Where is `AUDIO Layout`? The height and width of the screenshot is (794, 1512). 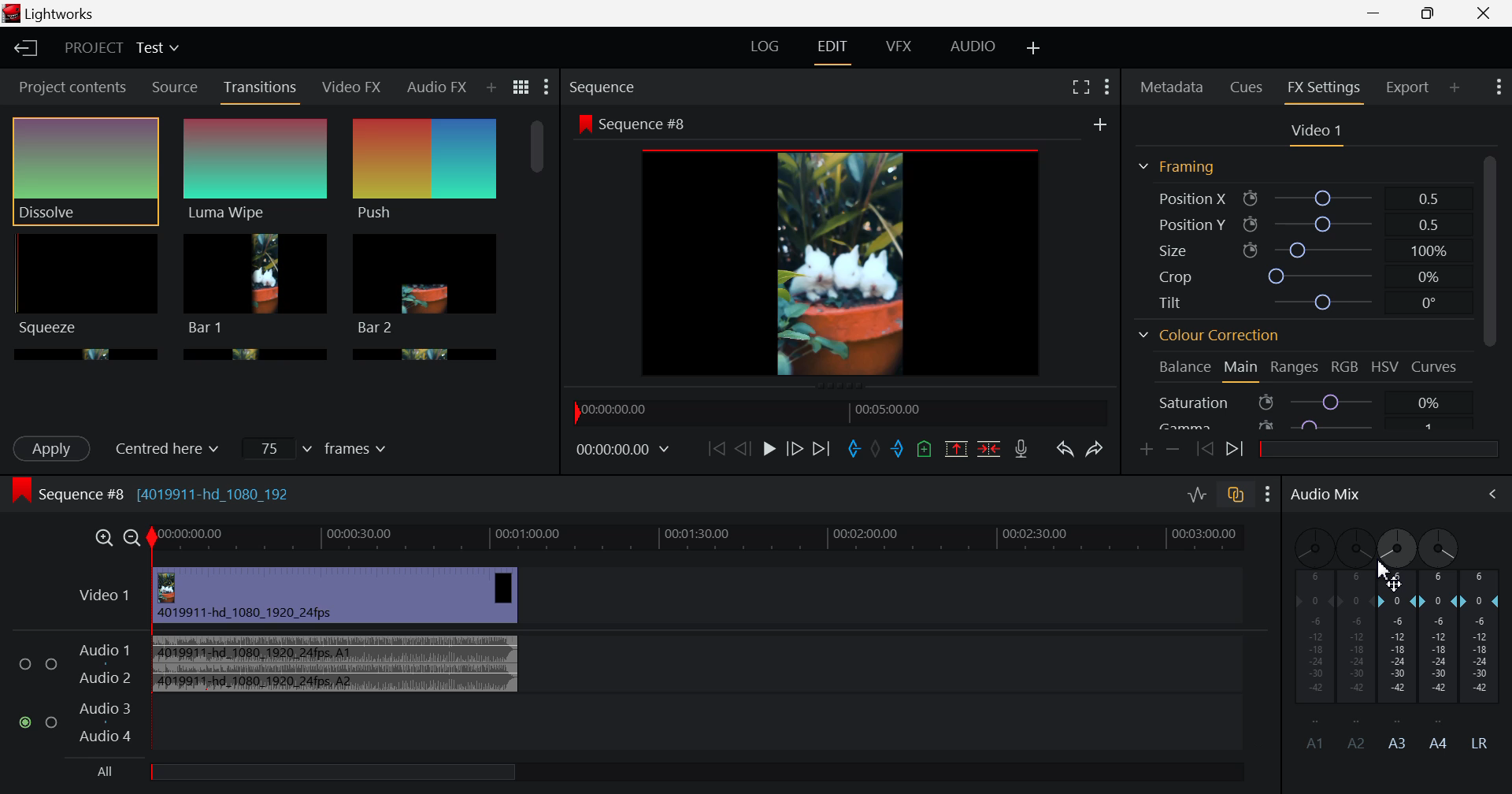
AUDIO Layout is located at coordinates (976, 49).